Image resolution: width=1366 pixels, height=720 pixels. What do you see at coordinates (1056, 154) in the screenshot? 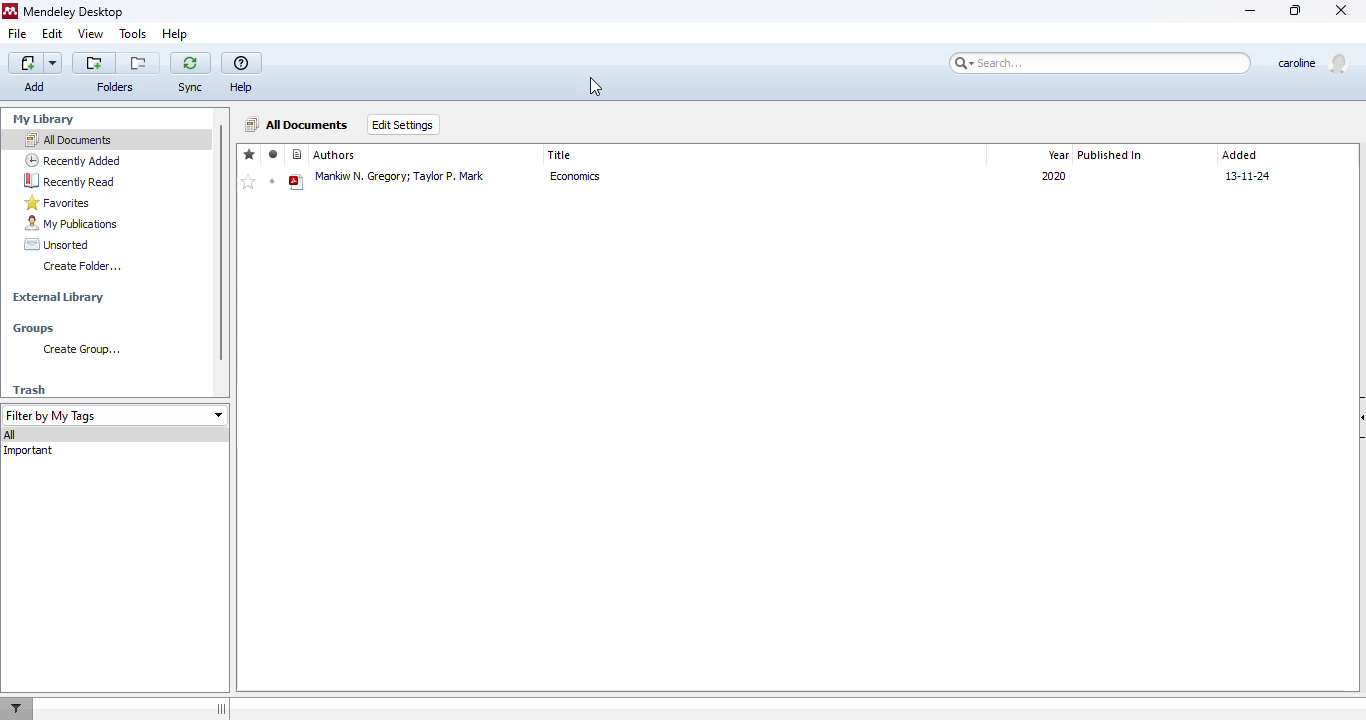
I see `year` at bounding box center [1056, 154].